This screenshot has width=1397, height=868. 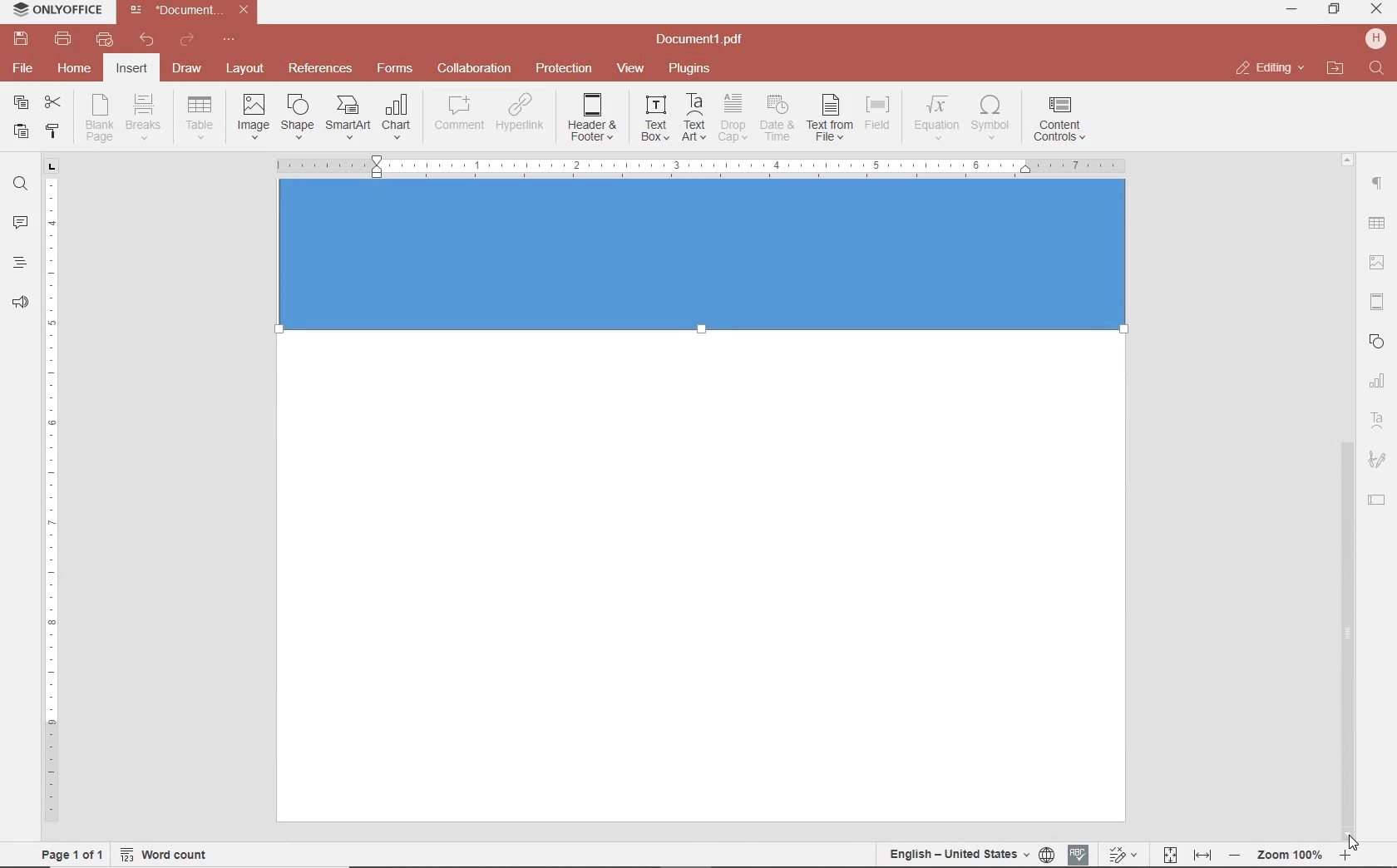 I want to click on SIGNATURE, so click(x=1377, y=461).